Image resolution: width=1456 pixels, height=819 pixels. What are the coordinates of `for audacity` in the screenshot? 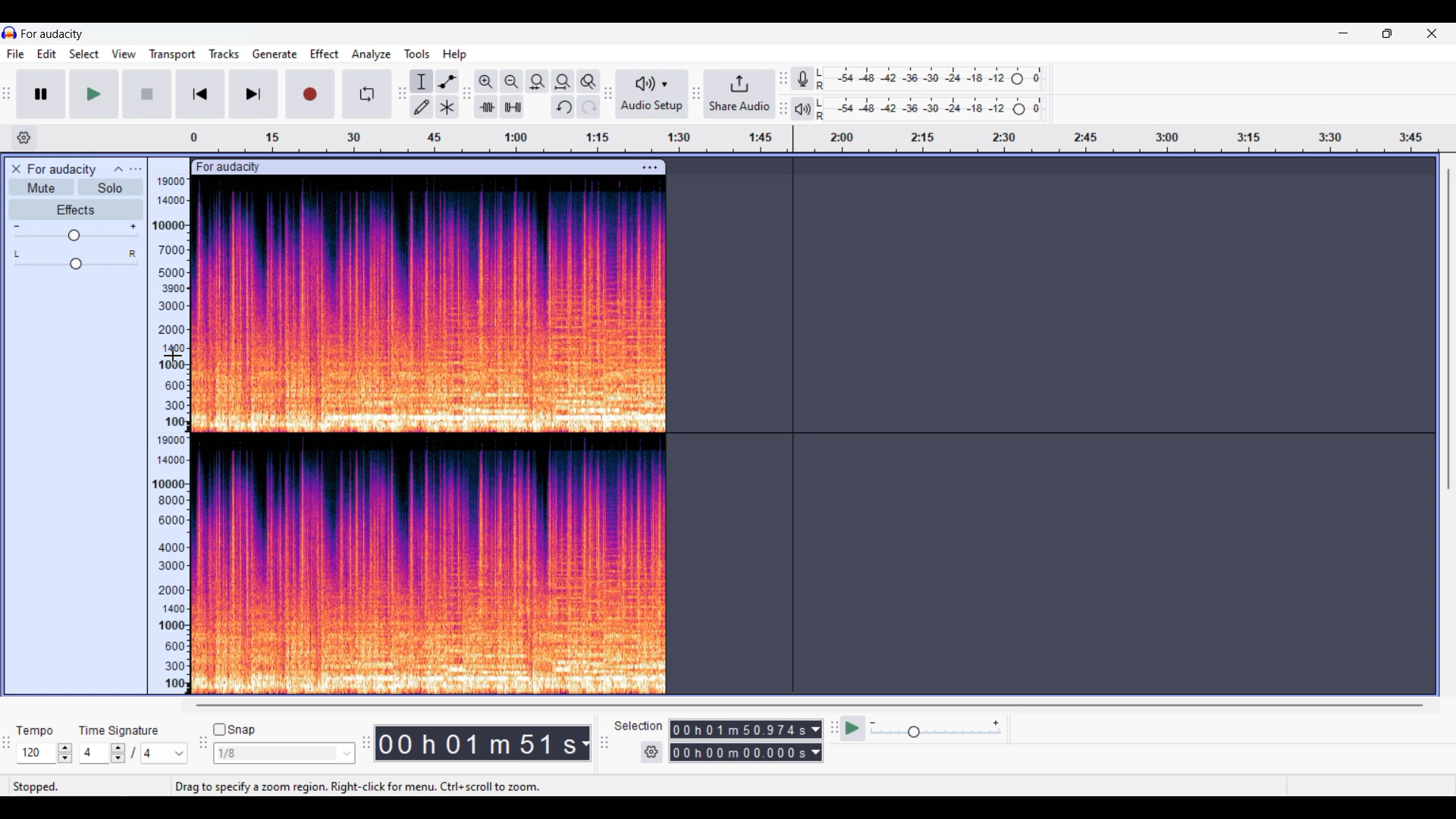 It's located at (52, 34).